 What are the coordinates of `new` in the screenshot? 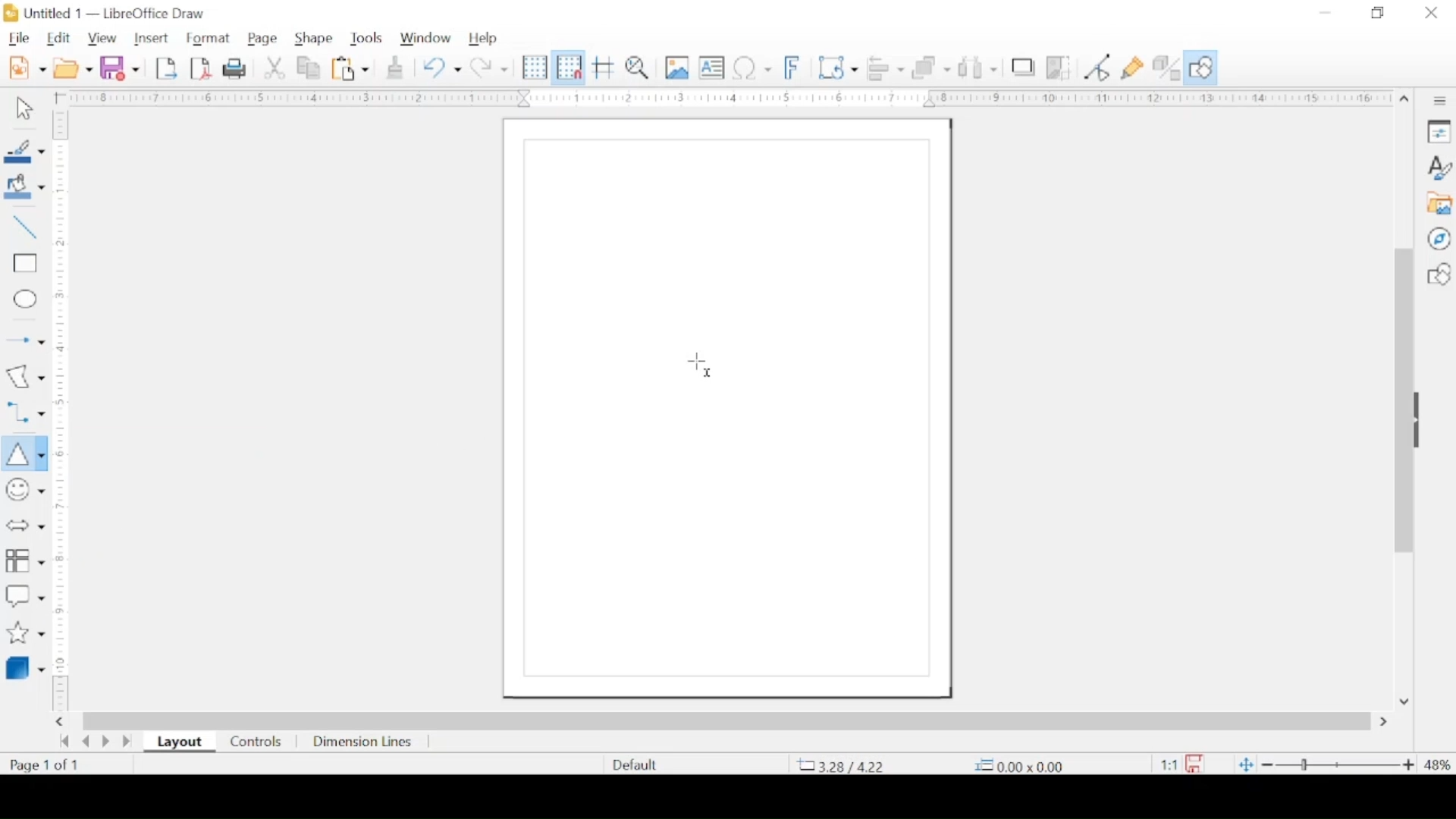 It's located at (29, 67).